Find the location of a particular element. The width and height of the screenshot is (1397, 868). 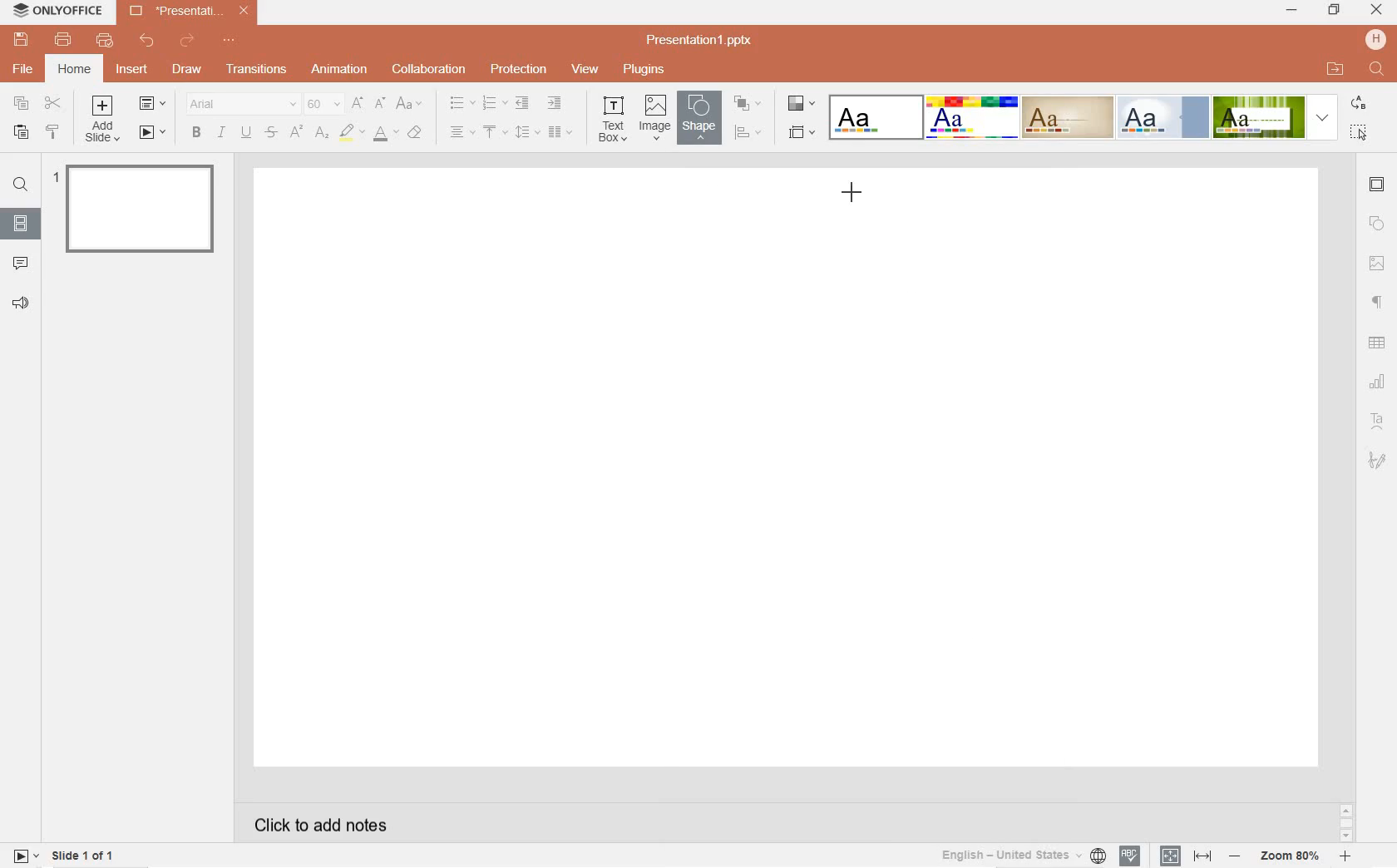

signature is located at coordinates (1378, 460).